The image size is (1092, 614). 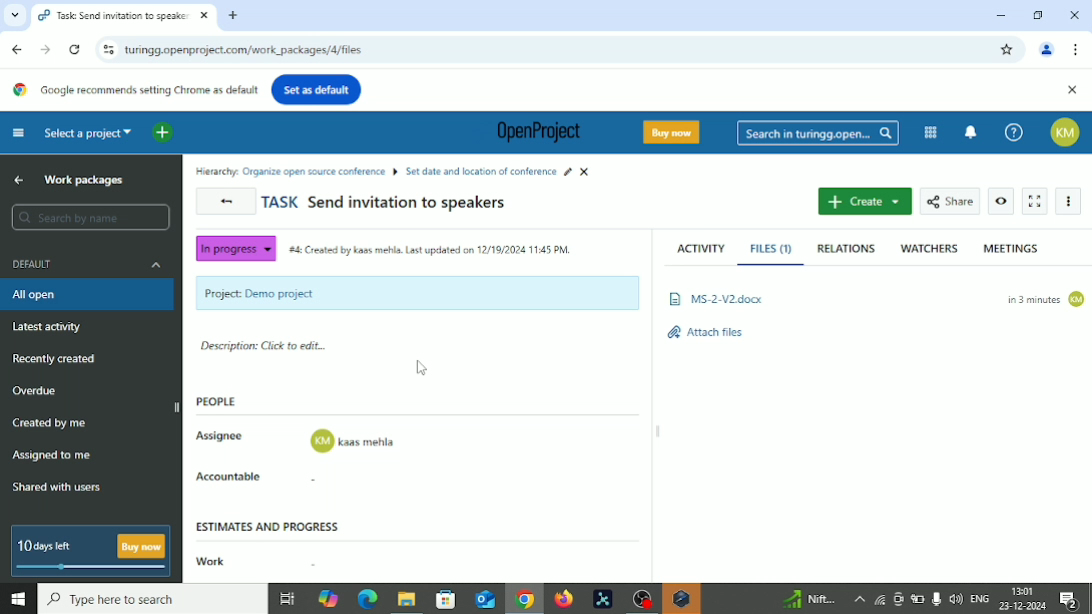 I want to click on speaker, so click(x=956, y=598).